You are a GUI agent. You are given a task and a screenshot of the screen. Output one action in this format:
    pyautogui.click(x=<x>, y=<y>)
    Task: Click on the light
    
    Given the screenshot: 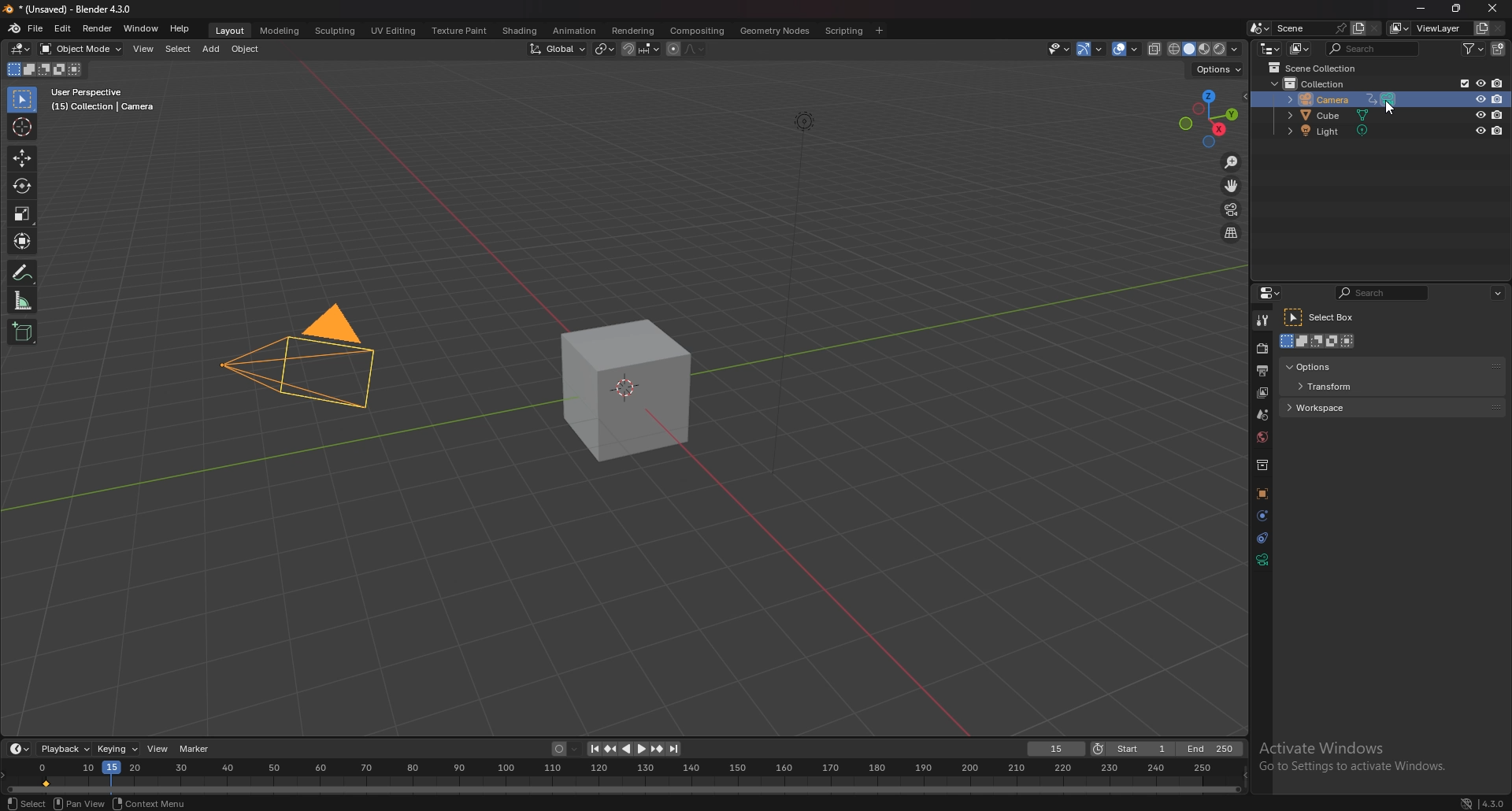 What is the action you would take?
    pyautogui.click(x=1333, y=132)
    